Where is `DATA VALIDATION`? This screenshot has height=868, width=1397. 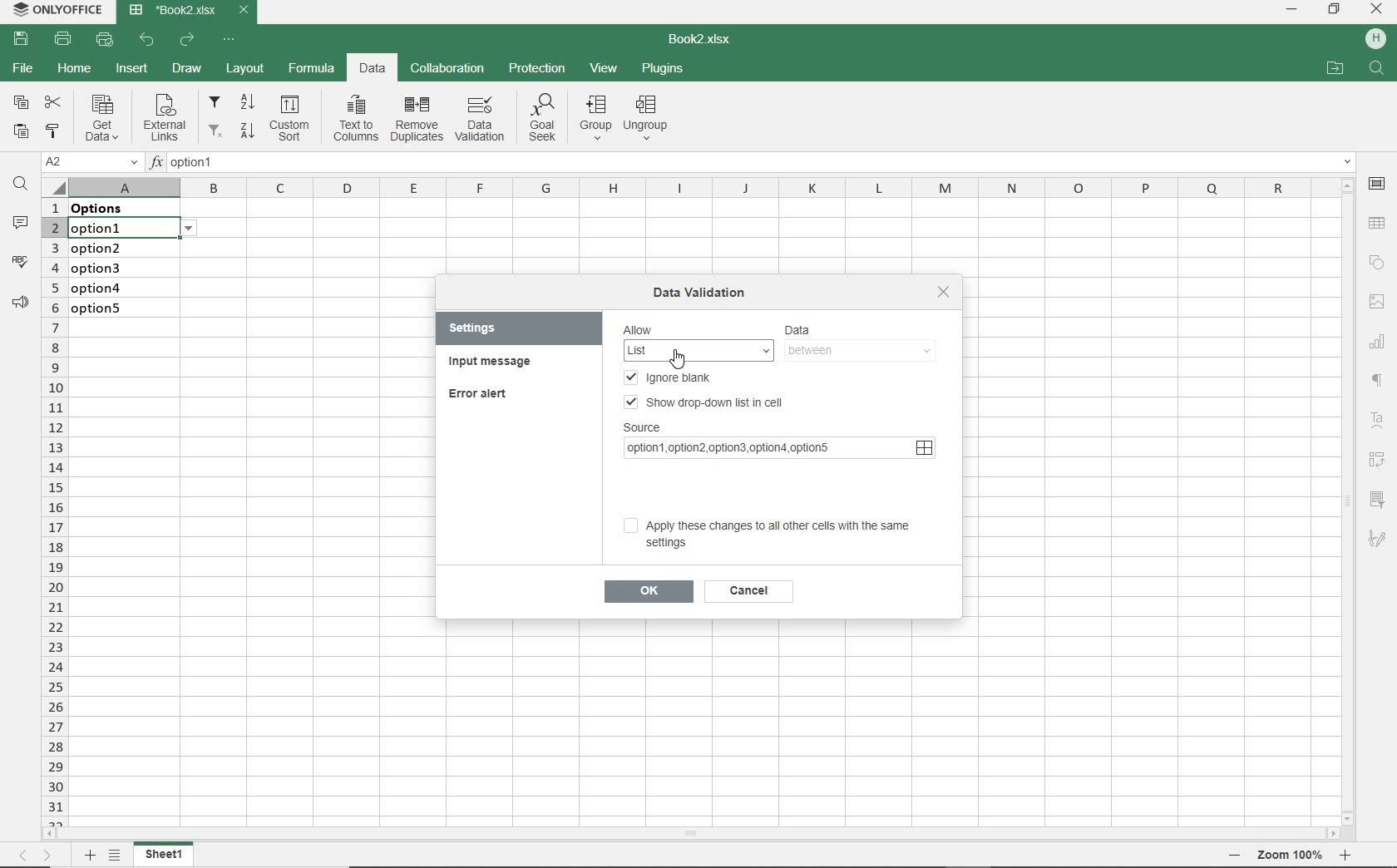 DATA VALIDATION is located at coordinates (479, 120).